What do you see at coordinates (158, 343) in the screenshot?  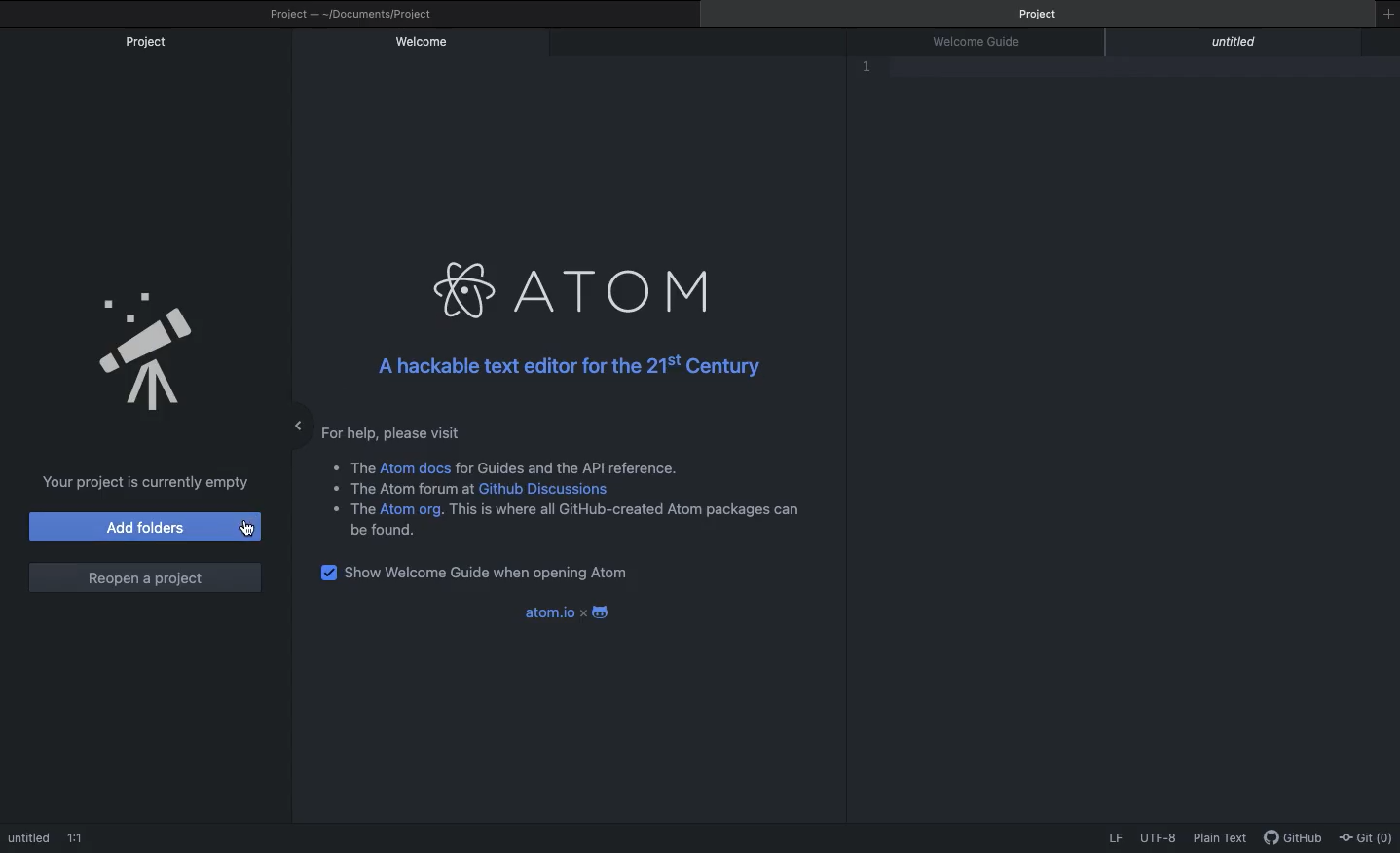 I see `Emblem` at bounding box center [158, 343].